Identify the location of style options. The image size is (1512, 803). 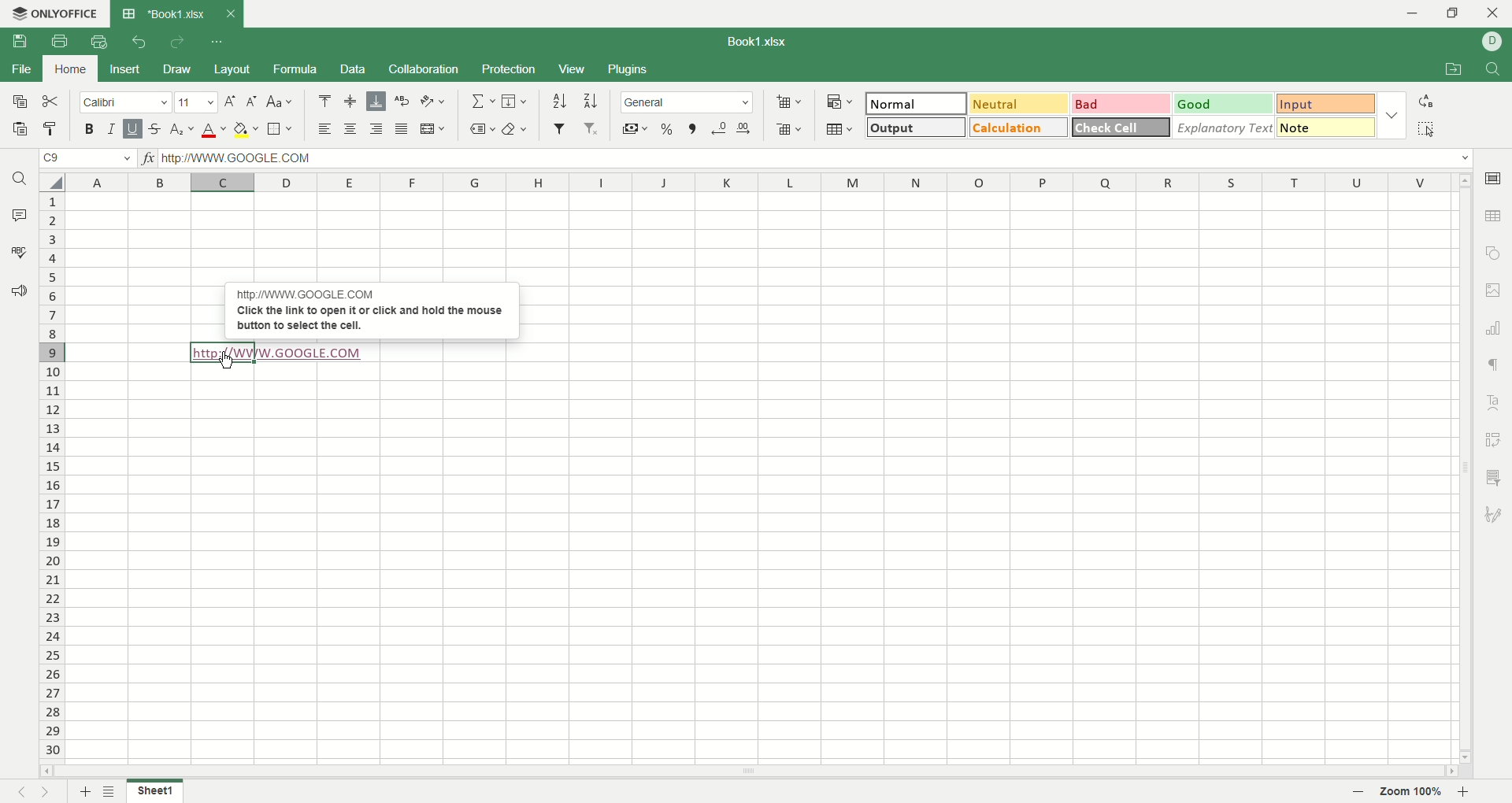
(1390, 113).